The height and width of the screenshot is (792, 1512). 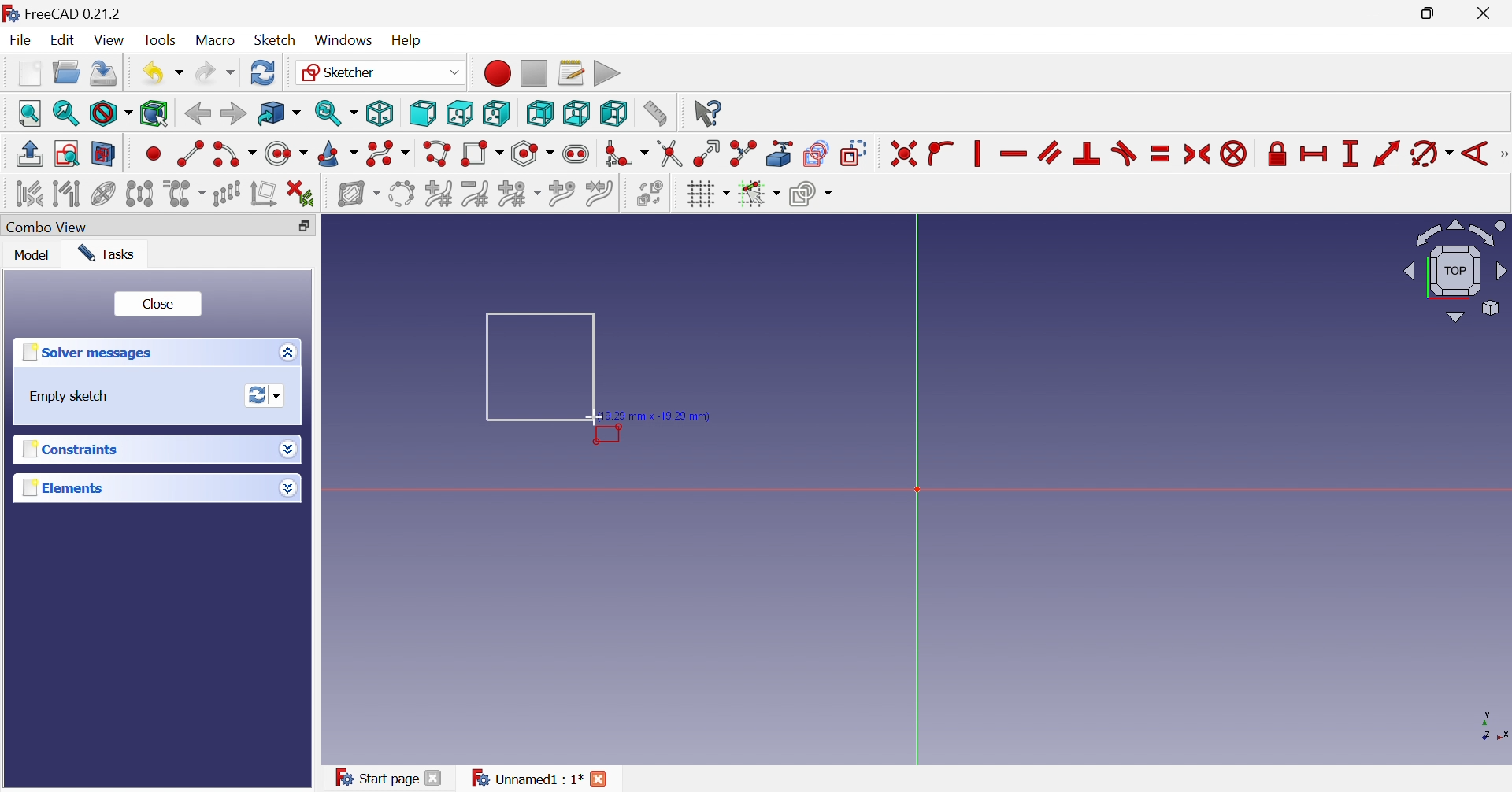 What do you see at coordinates (539, 366) in the screenshot?
I see `Square` at bounding box center [539, 366].